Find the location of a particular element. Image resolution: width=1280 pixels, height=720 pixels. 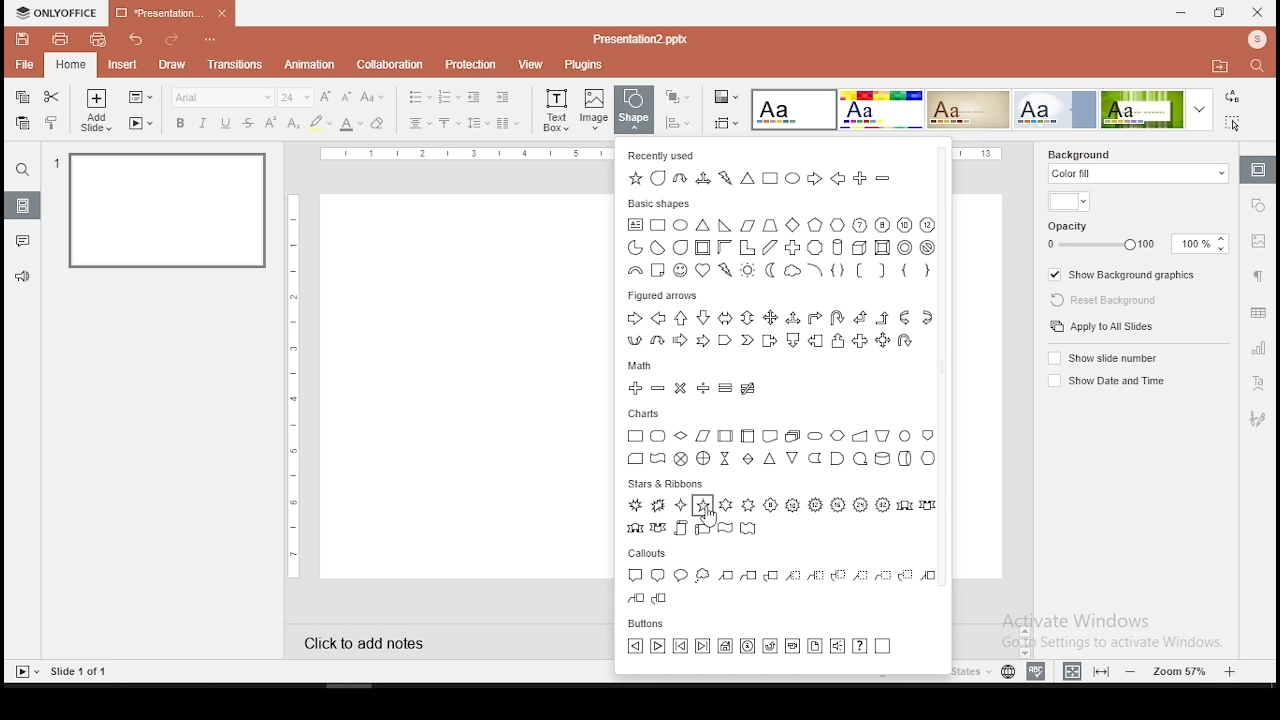

 is located at coordinates (1256, 419).